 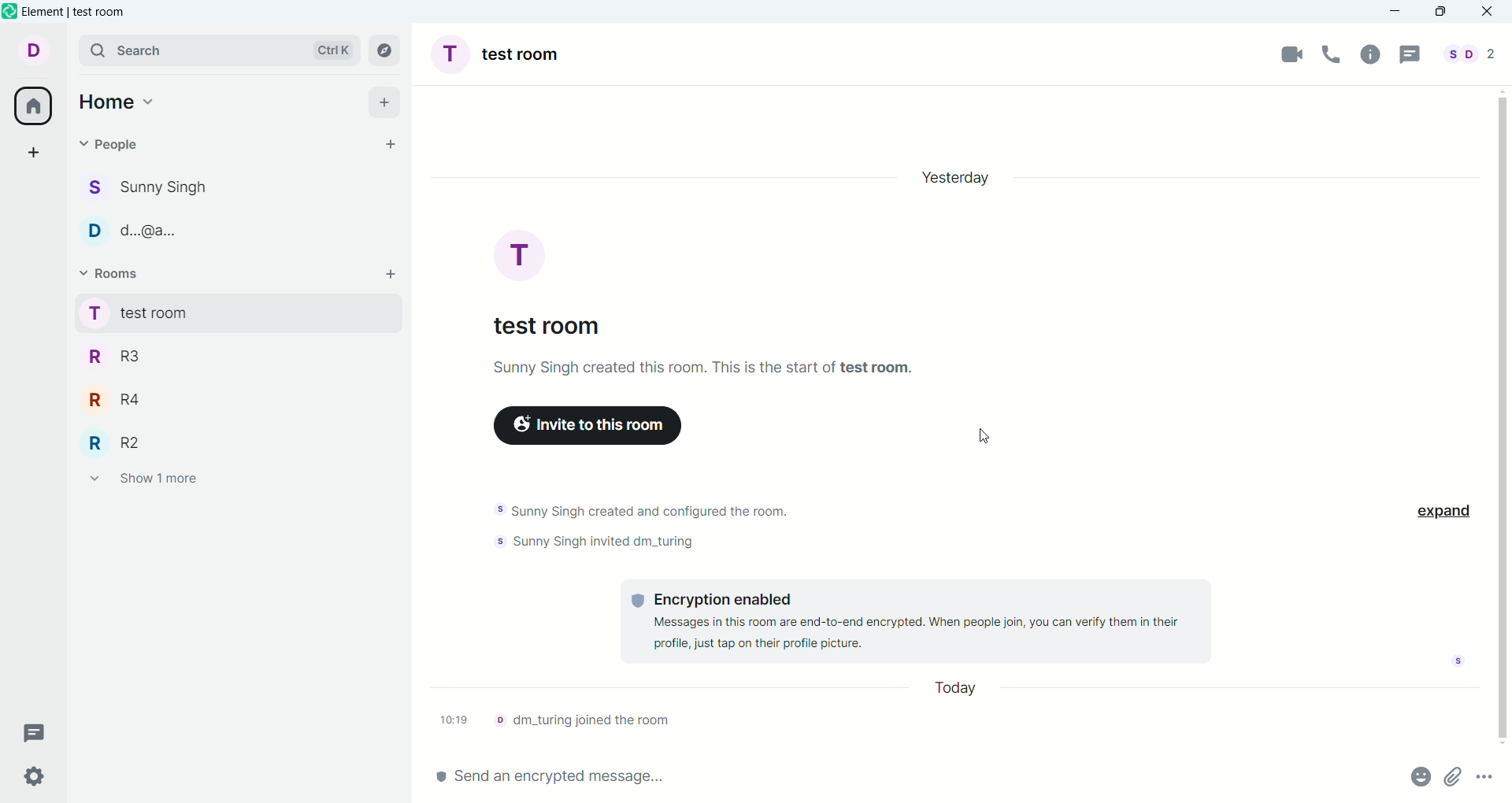 I want to click on cursor, so click(x=977, y=434).